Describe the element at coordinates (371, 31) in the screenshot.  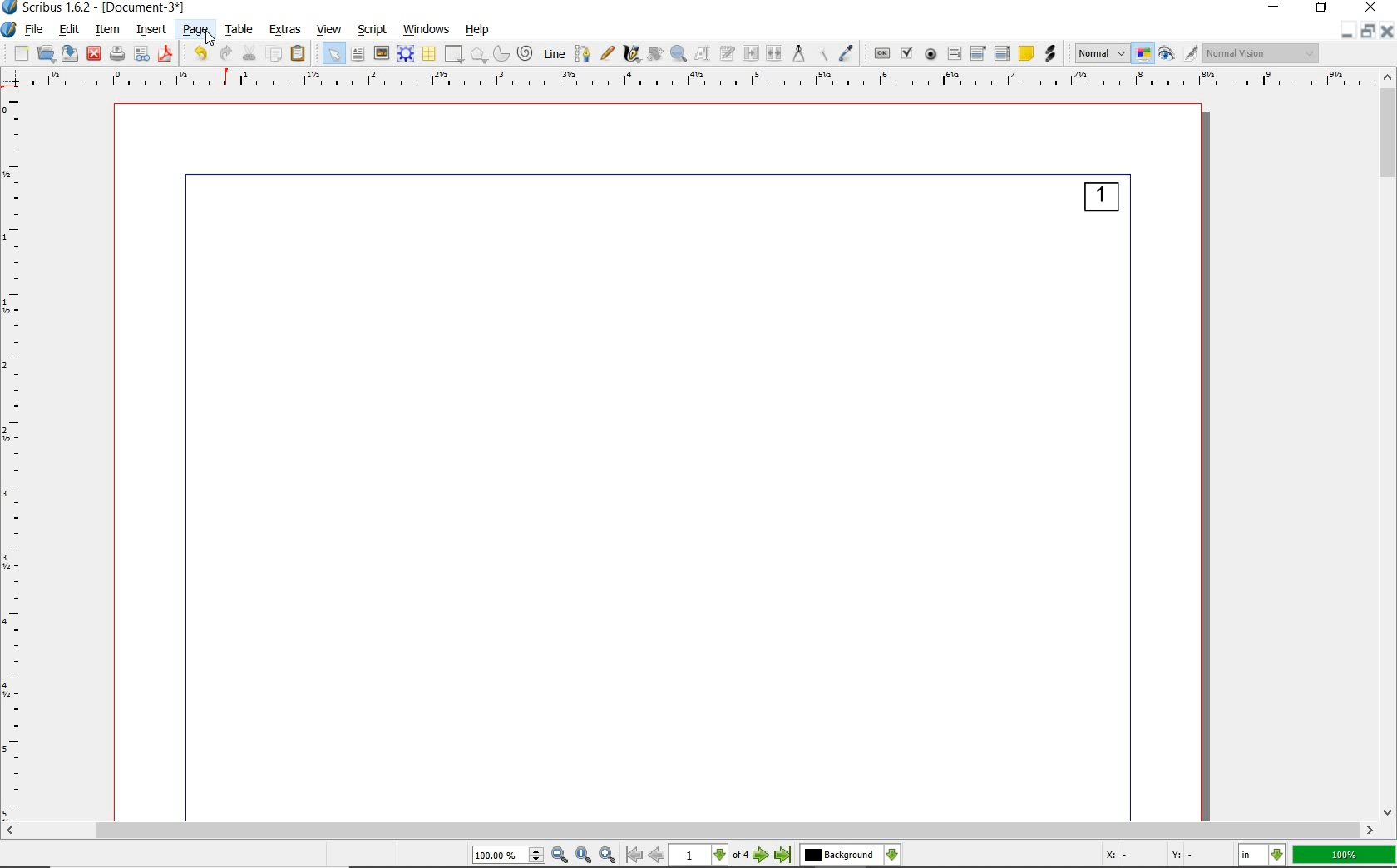
I see `script` at that location.